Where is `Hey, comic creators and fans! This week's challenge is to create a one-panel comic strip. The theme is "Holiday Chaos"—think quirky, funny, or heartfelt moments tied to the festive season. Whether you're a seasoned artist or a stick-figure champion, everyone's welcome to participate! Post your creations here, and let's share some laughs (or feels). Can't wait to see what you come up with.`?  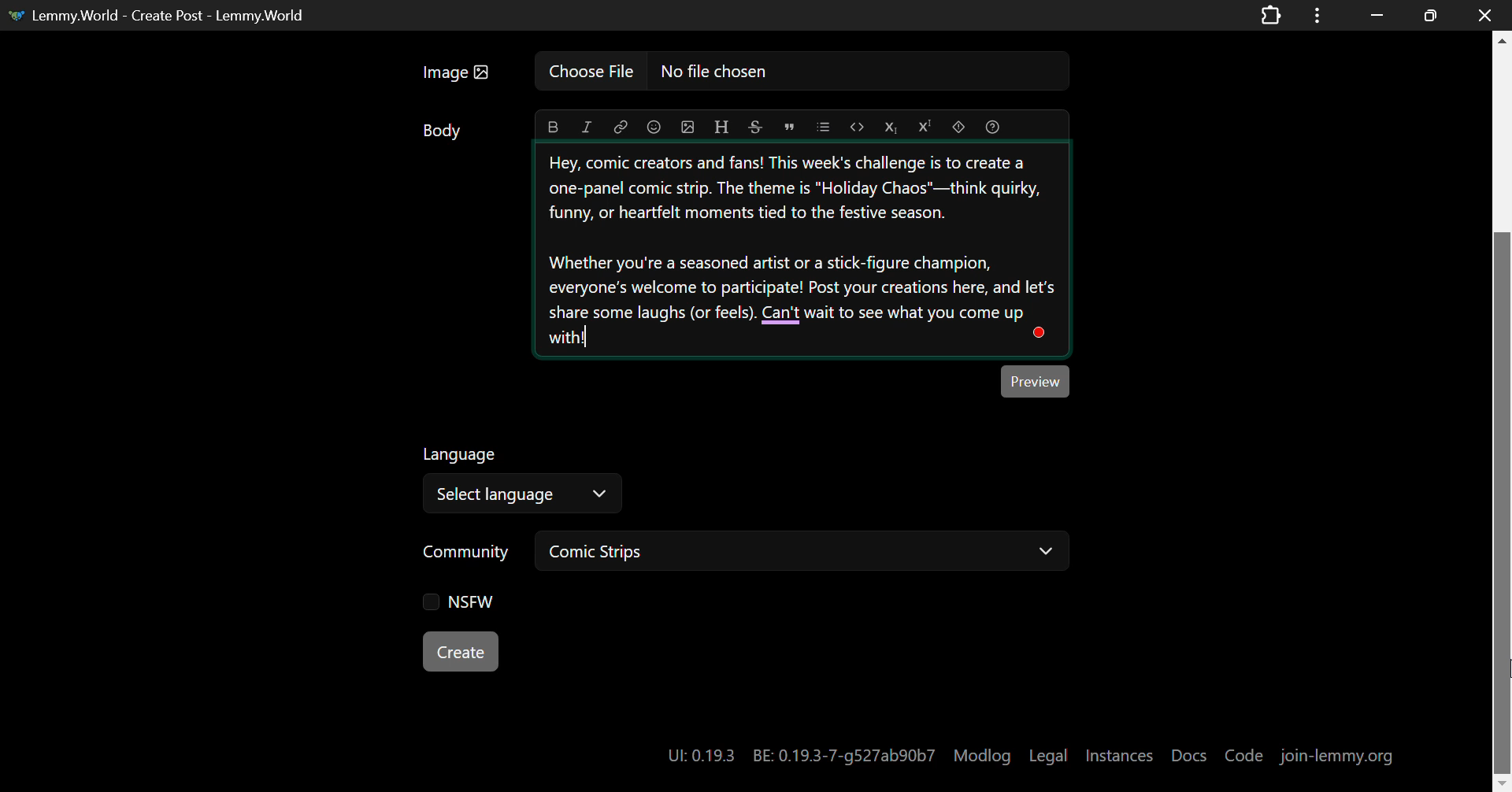
Hey, comic creators and fans! This week's challenge is to create a one-panel comic strip. The theme is "Holiday Chaos"—think quirky, funny, or heartfelt moments tied to the festive season. Whether you're a seasoned artist or a stick-figure champion, everyone's welcome to participate! Post your creations here, and let's share some laughs (or feels). Can't wait to see what you come up with. is located at coordinates (802, 251).